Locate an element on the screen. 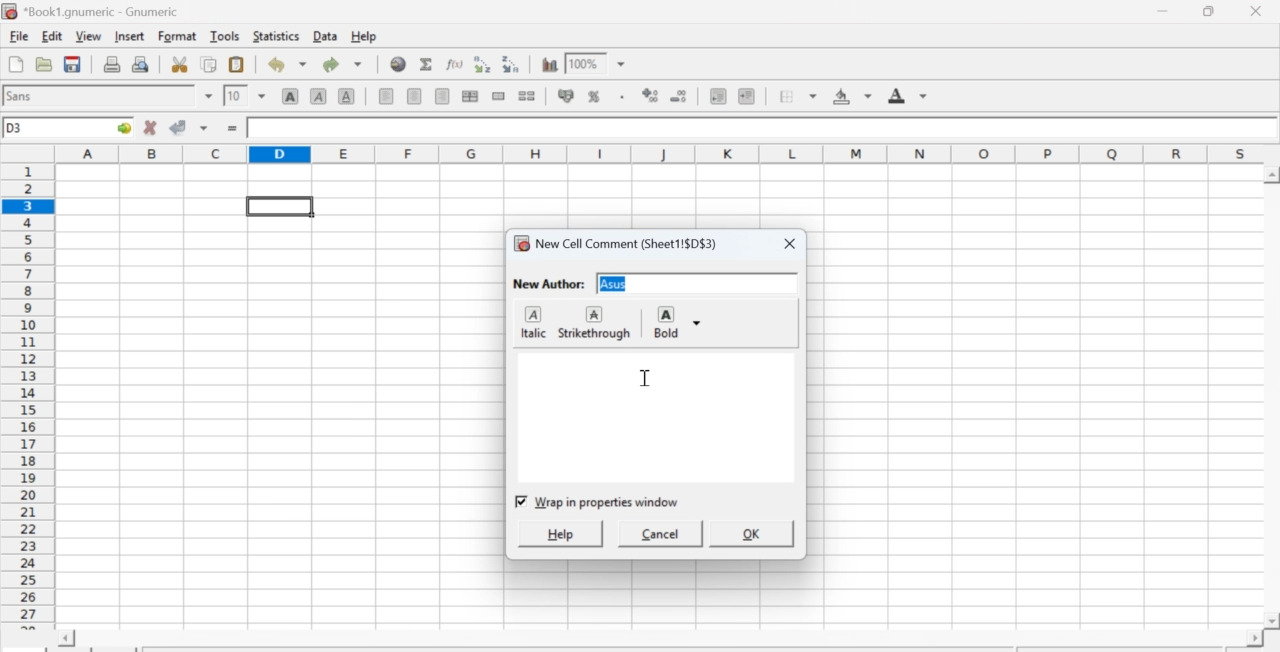 This screenshot has height=652, width=1280. Minimize is located at coordinates (1162, 12).